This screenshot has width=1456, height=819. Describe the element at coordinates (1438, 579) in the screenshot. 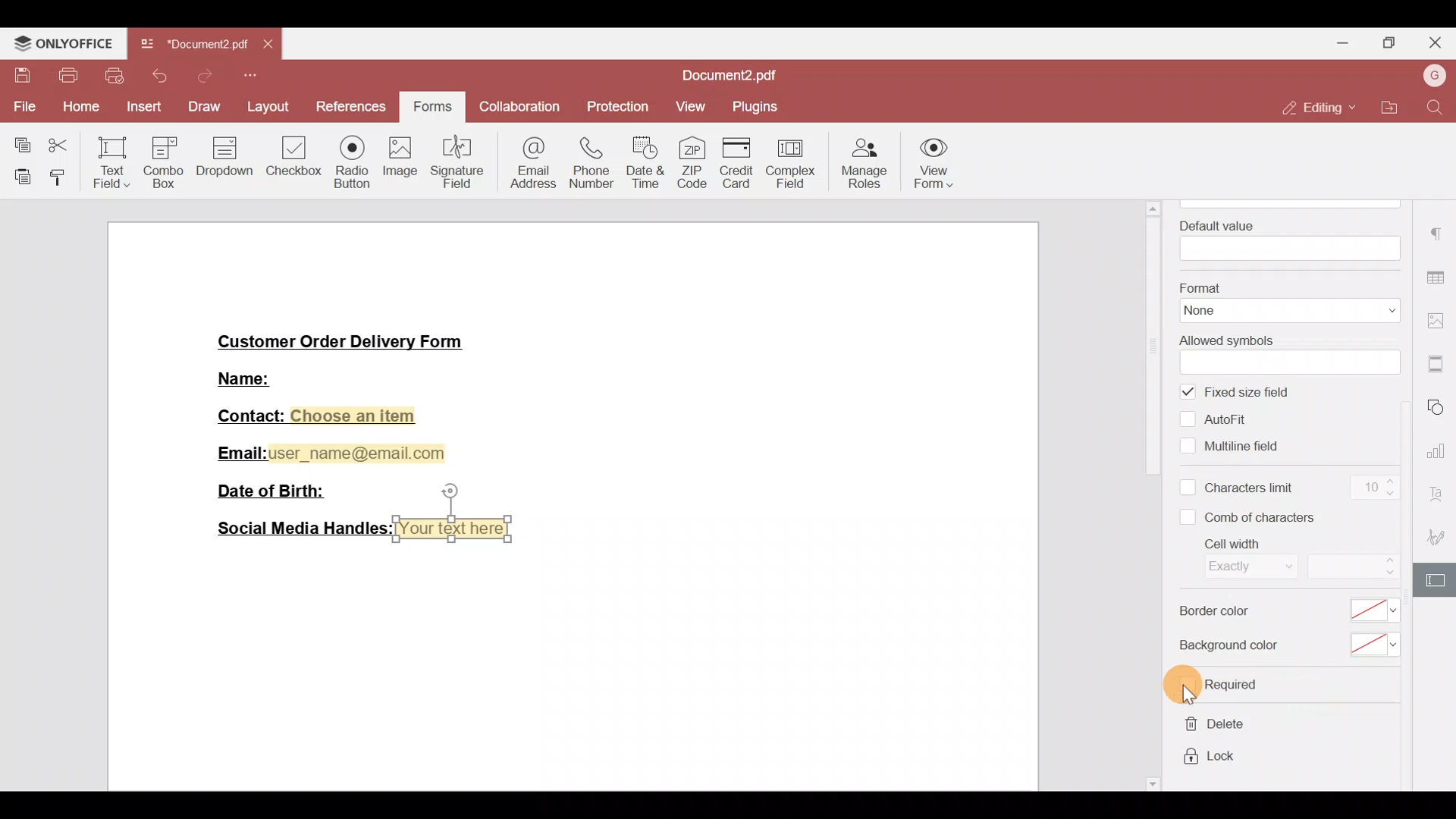

I see `Form settings` at that location.